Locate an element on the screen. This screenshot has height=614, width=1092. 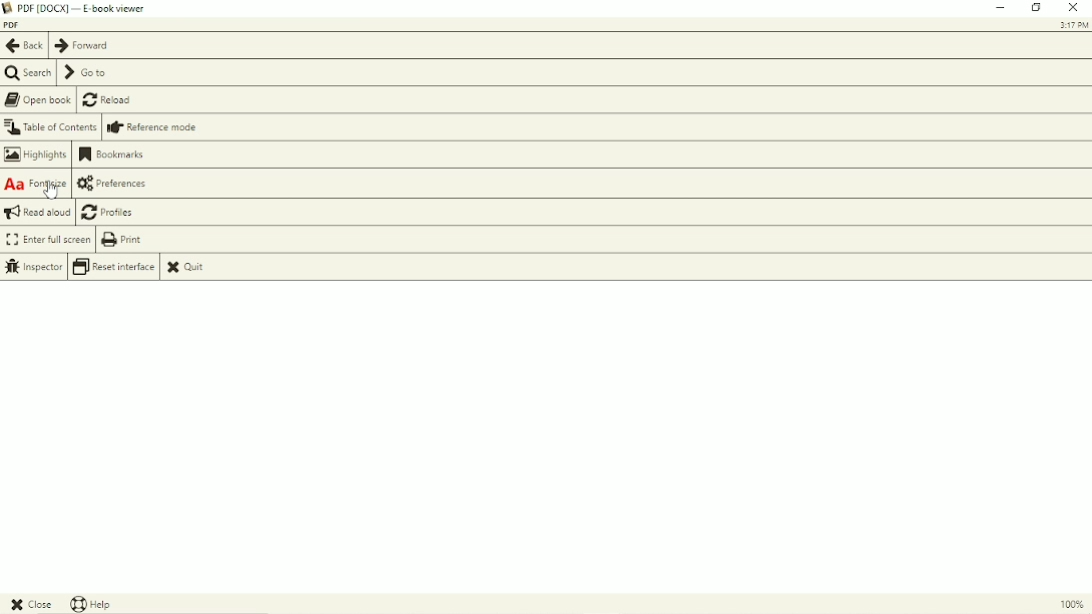
Book name is located at coordinates (15, 25).